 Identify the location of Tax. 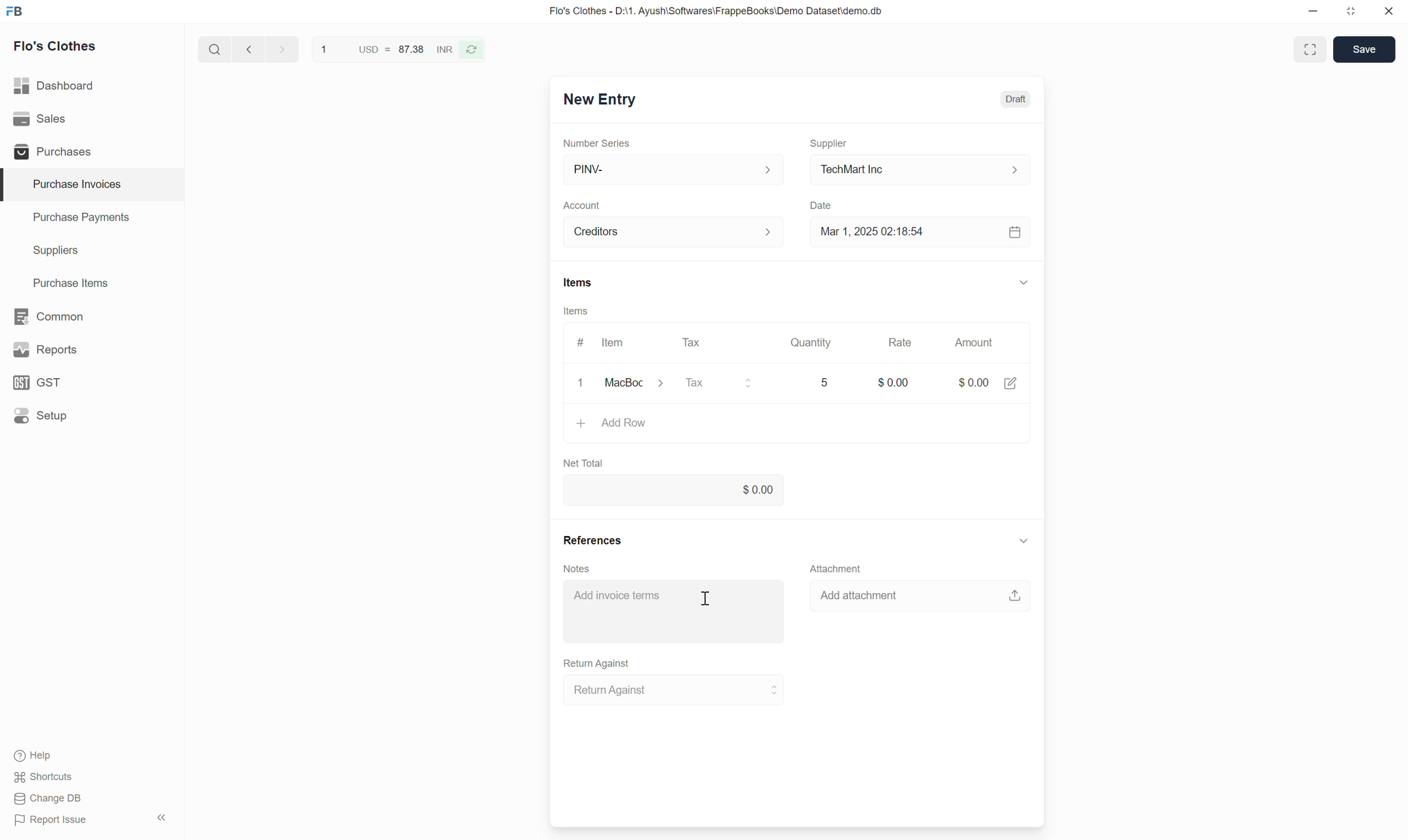
(695, 342).